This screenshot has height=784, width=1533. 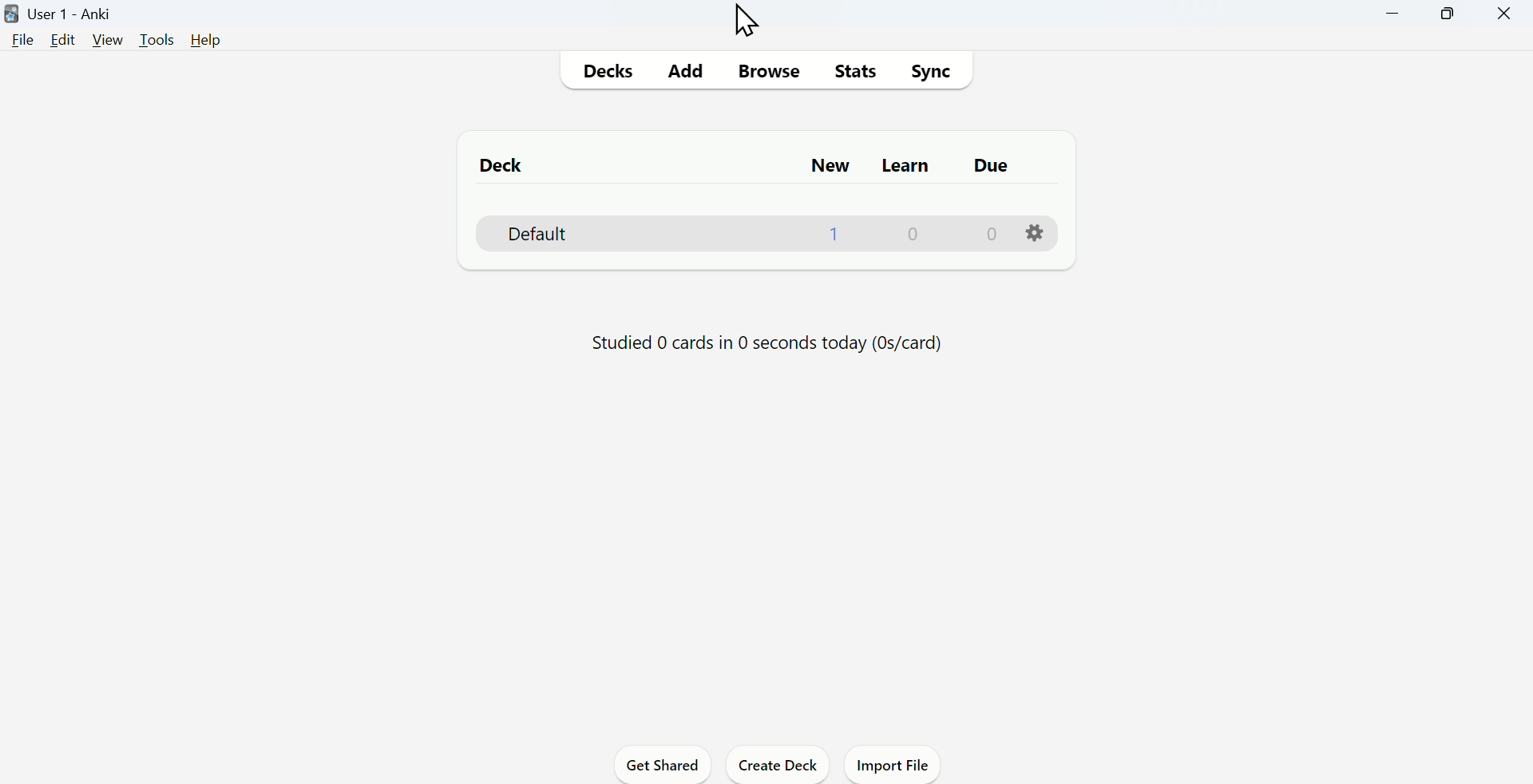 I want to click on Learn, so click(x=903, y=166).